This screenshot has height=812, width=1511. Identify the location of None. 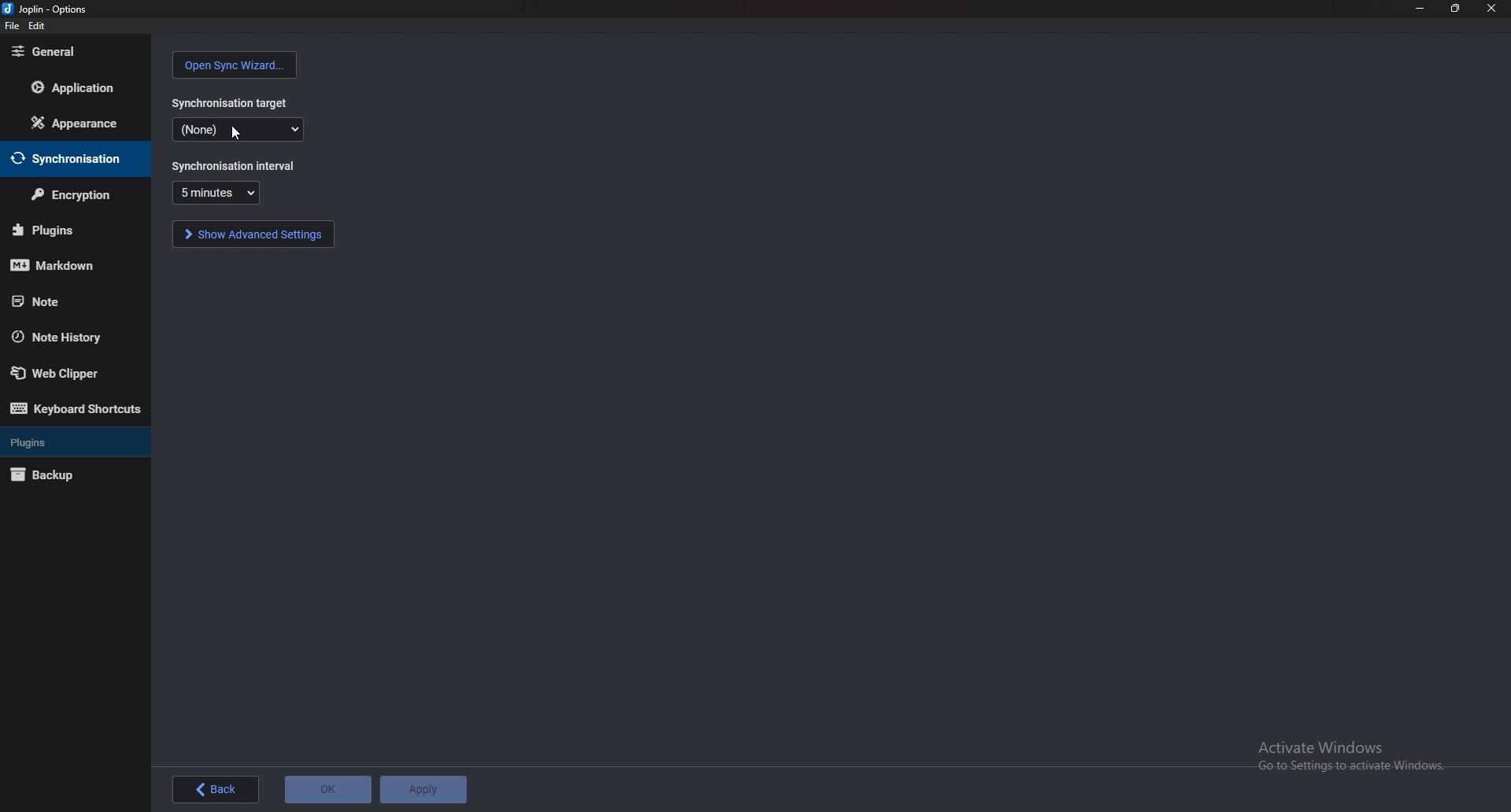
(237, 129).